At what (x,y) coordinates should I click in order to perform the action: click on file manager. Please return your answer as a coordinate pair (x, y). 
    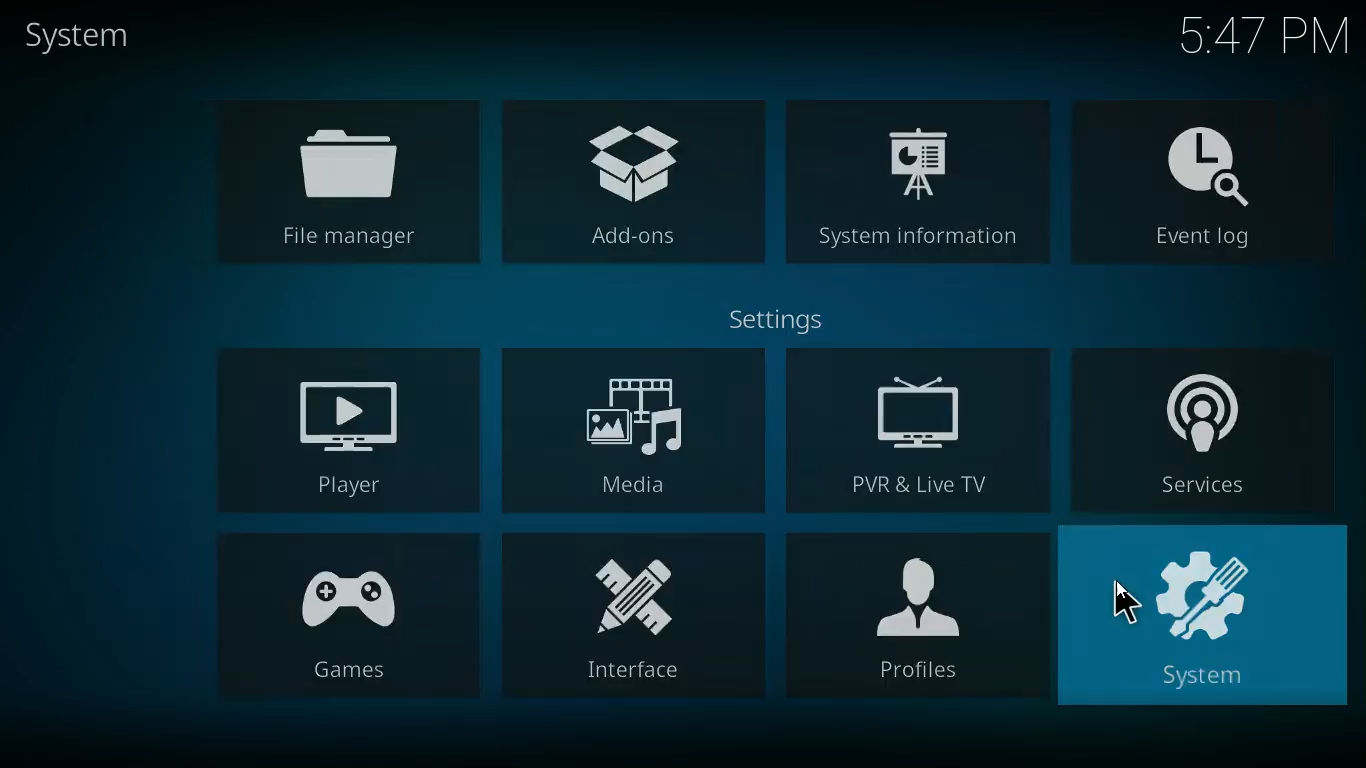
    Looking at the image, I should click on (336, 182).